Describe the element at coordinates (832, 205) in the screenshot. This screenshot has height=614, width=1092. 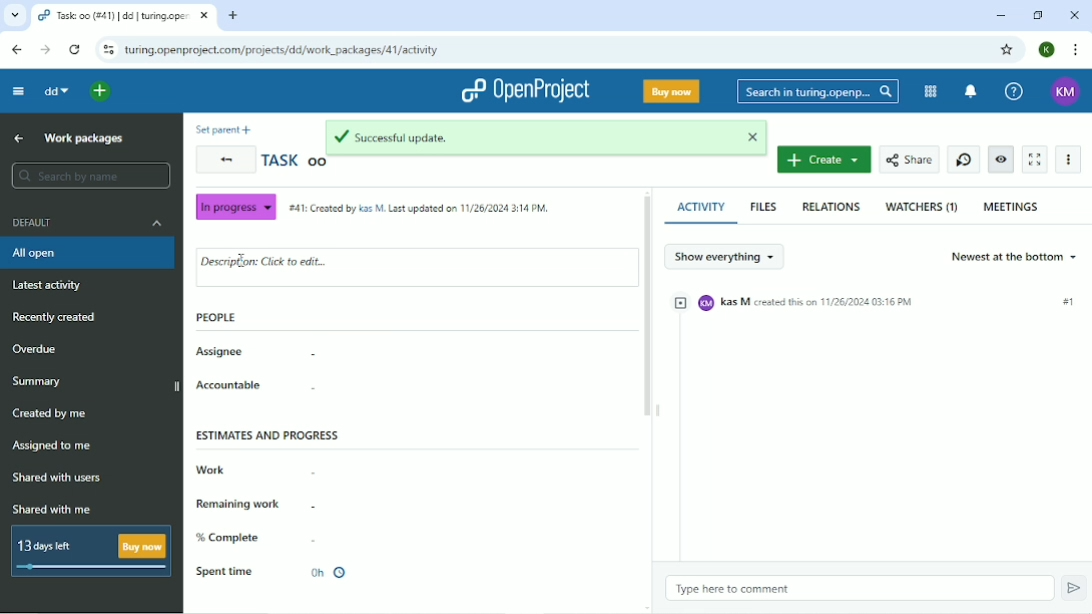
I see `RELATIONS` at that location.